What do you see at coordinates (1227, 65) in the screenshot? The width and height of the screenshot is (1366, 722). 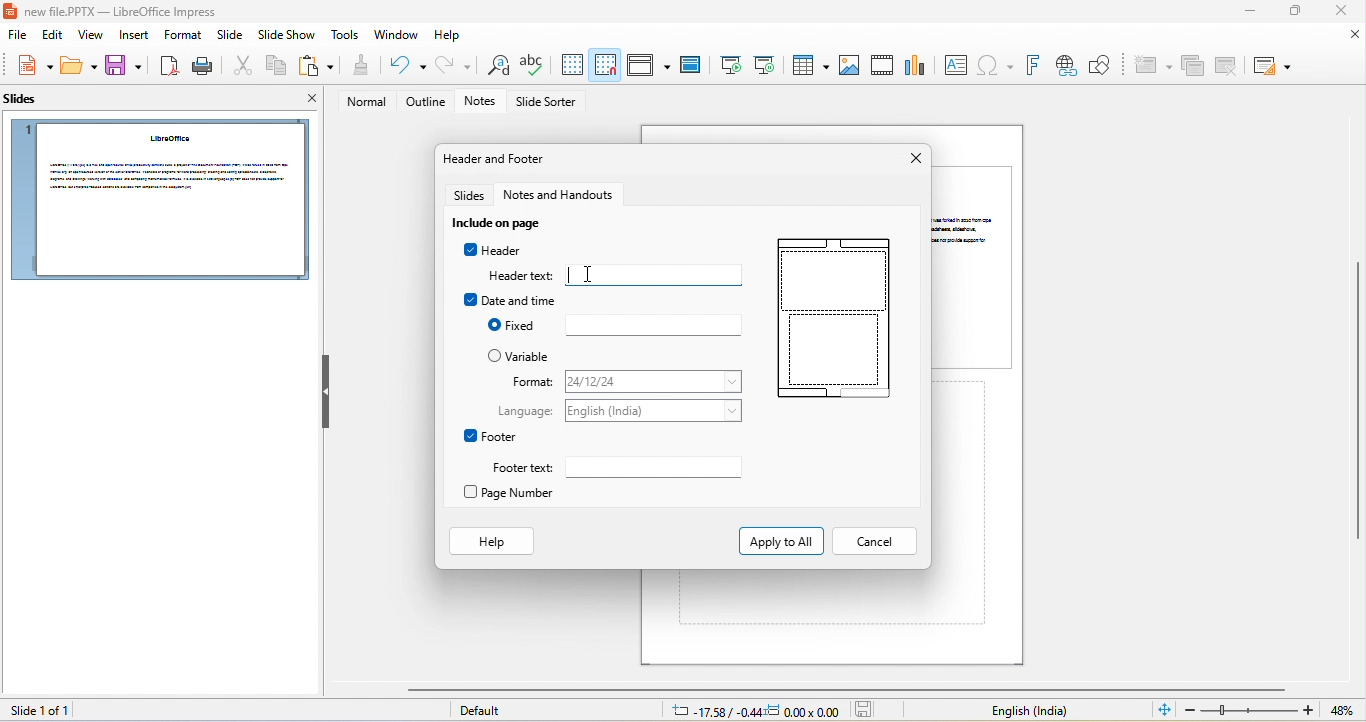 I see `delete slide` at bounding box center [1227, 65].